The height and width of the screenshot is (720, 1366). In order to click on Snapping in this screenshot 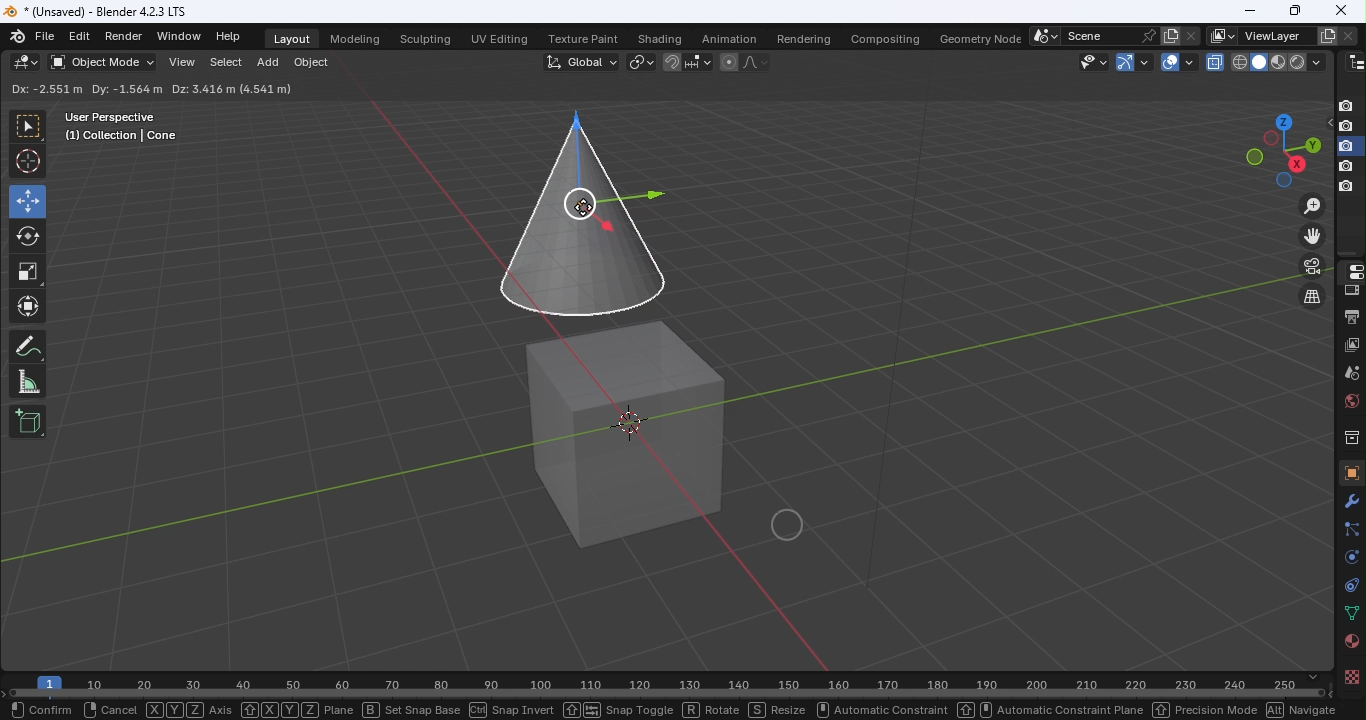, I will do `click(699, 61)`.